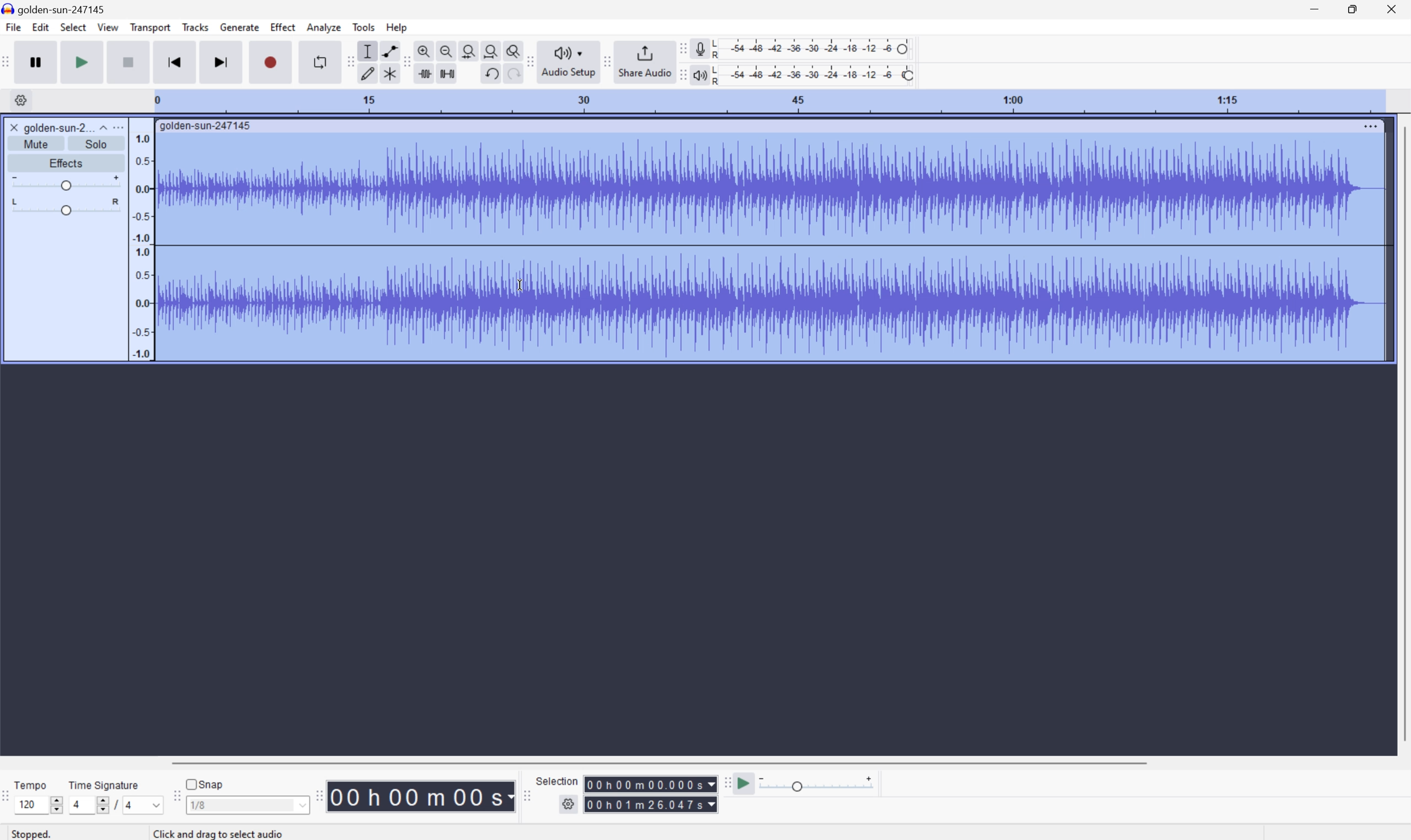 The width and height of the screenshot is (1411, 840). What do you see at coordinates (55, 9) in the screenshot?
I see `goldensun-247145` at bounding box center [55, 9].